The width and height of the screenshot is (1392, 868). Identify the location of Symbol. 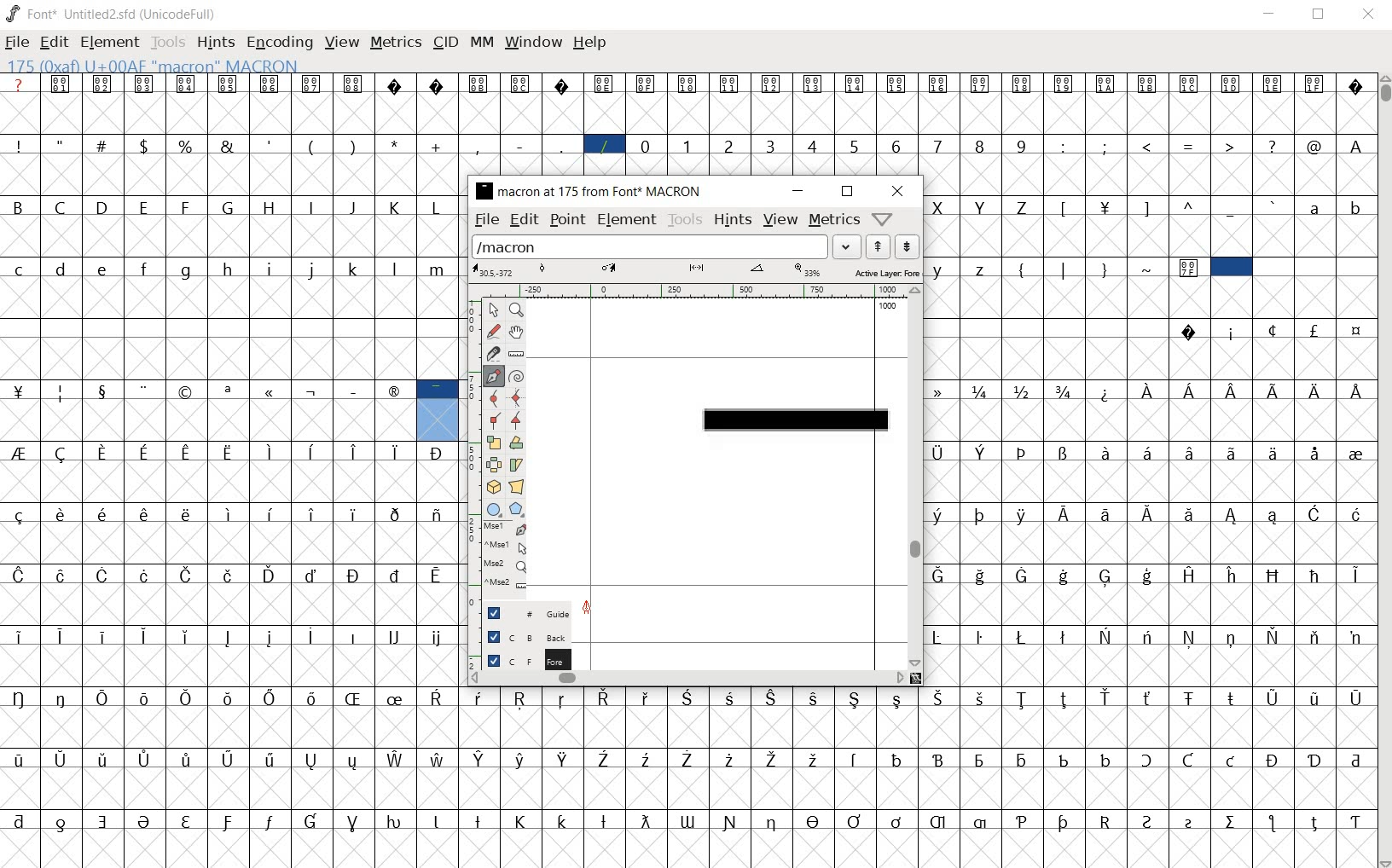
(1147, 451).